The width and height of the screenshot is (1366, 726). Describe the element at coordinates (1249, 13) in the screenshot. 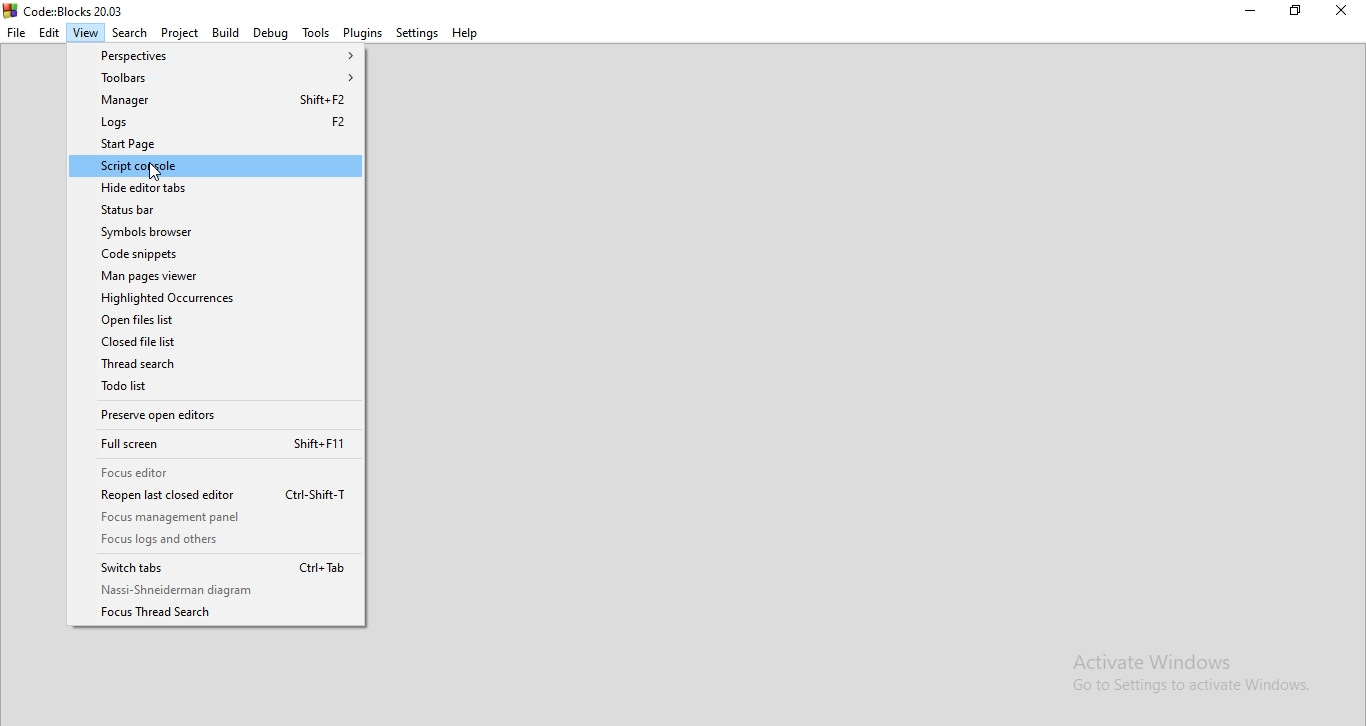

I see `minimize` at that location.